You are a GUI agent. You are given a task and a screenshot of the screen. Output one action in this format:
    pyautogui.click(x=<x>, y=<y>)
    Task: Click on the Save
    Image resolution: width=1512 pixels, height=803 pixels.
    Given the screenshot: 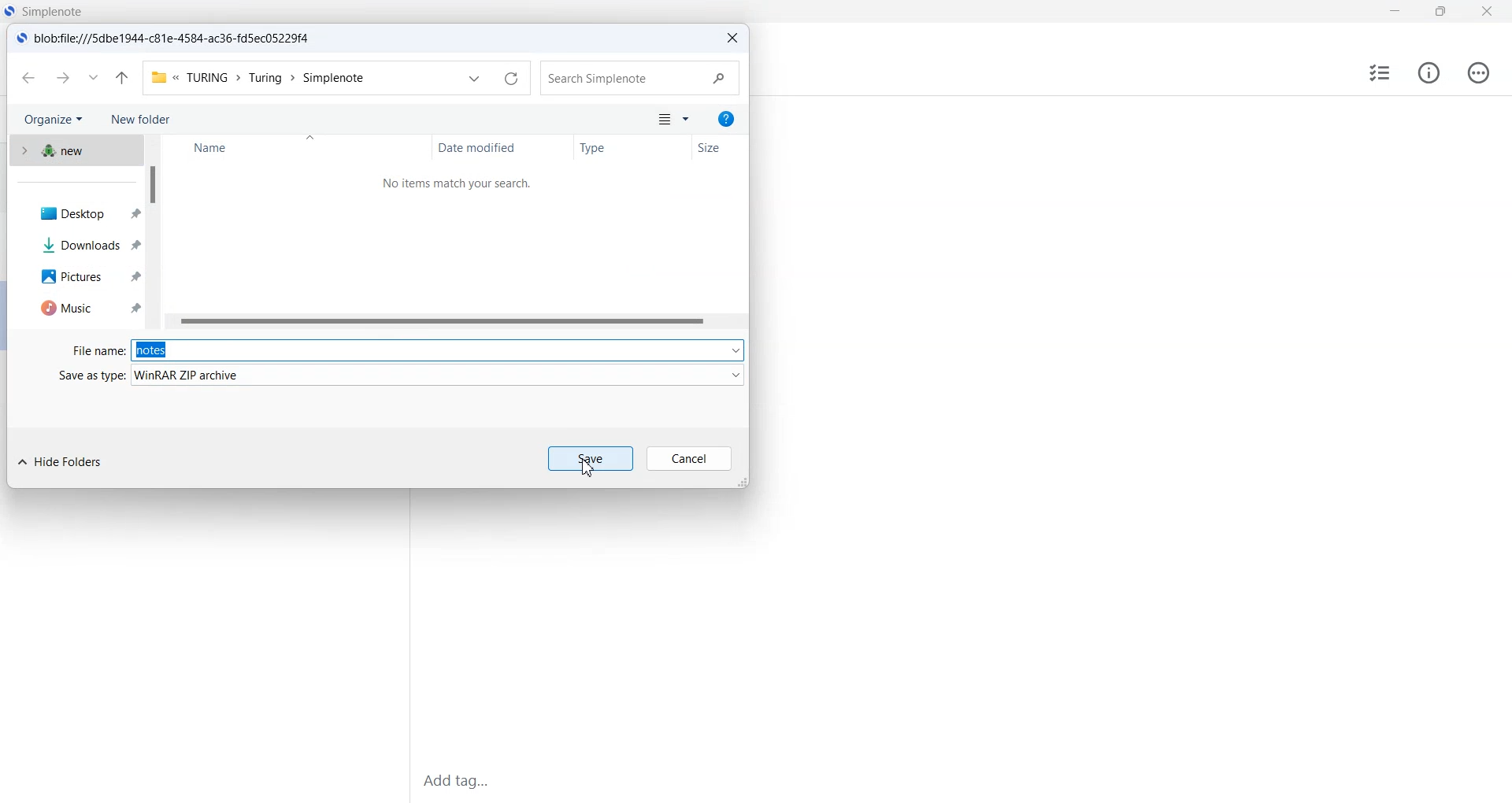 What is the action you would take?
    pyautogui.click(x=593, y=458)
    